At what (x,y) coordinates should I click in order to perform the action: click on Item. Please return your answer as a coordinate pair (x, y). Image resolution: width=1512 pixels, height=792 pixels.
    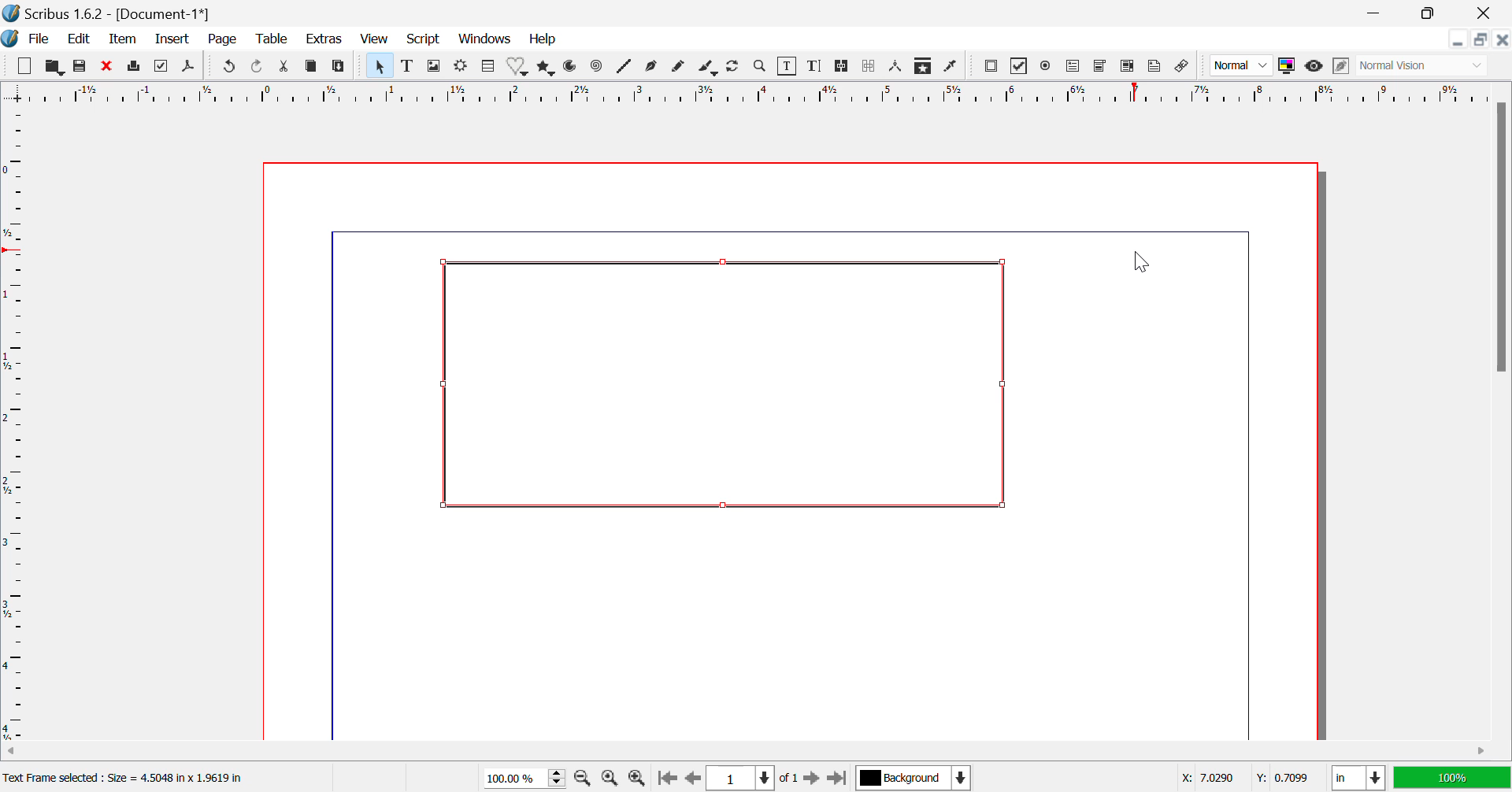
    Looking at the image, I should click on (123, 41).